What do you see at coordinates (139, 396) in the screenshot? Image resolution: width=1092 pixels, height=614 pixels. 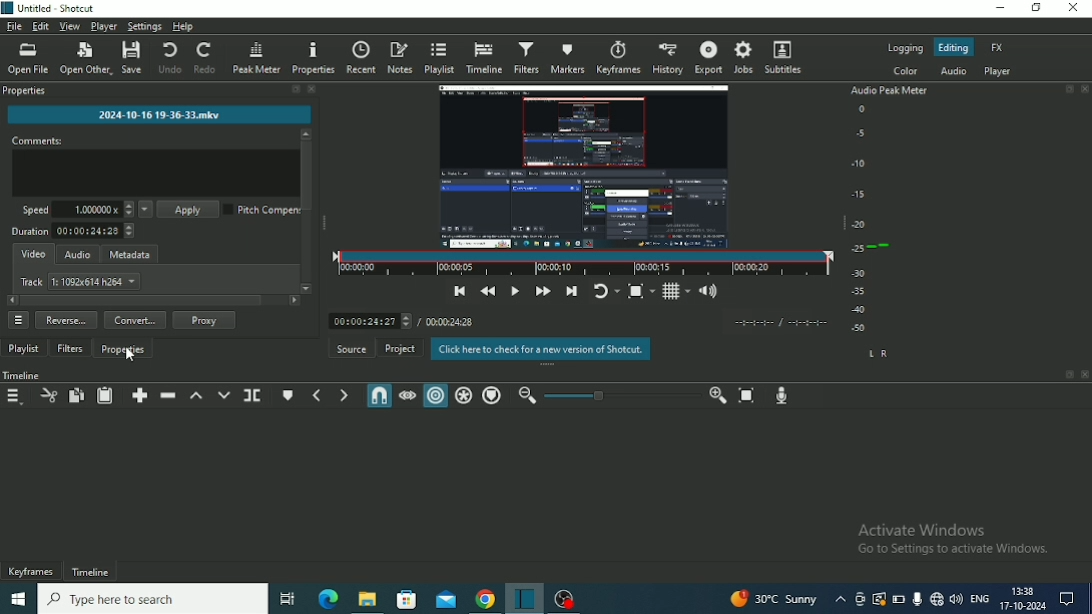 I see `Append` at bounding box center [139, 396].